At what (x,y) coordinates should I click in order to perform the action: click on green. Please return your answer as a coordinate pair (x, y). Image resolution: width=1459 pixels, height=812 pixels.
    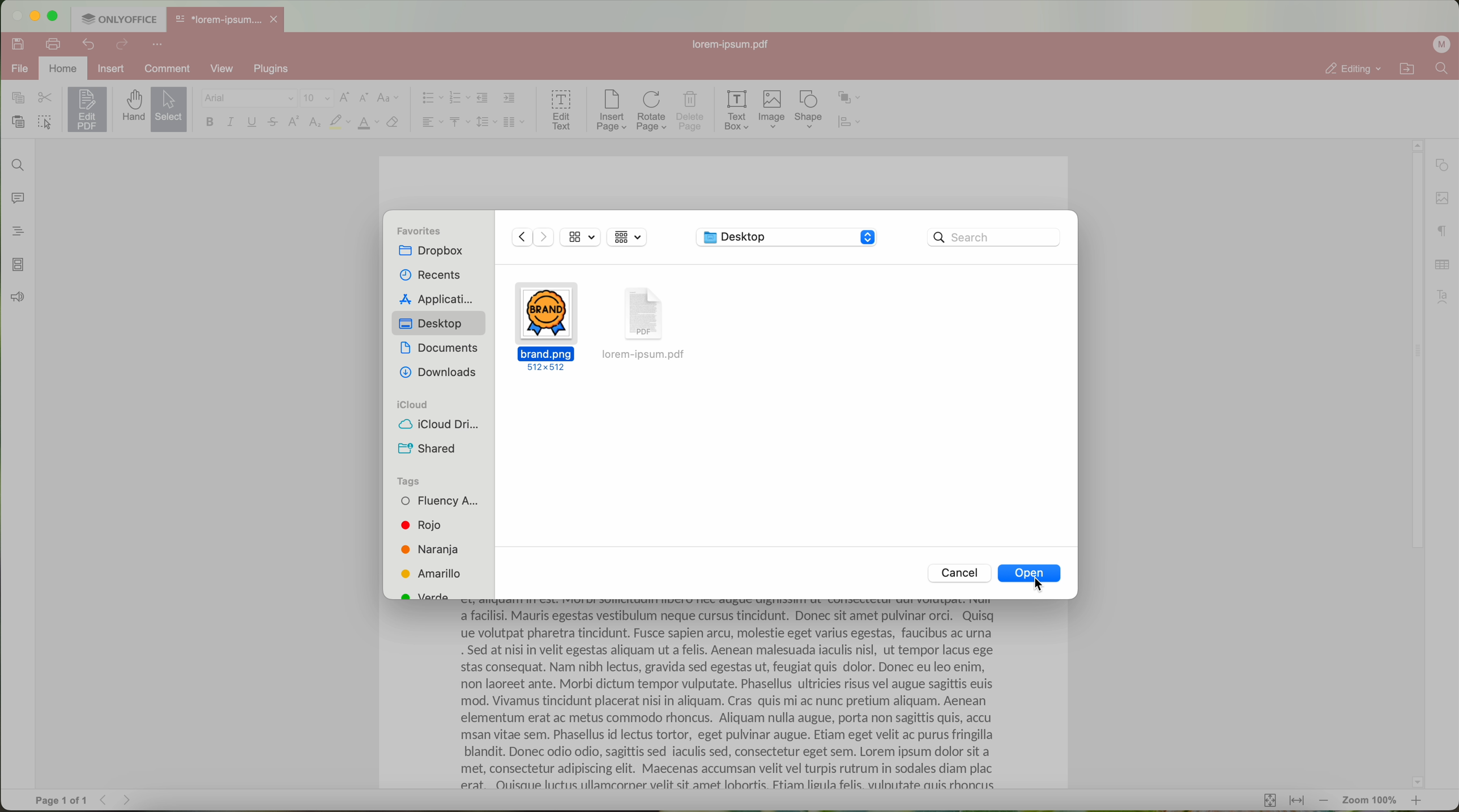
    Looking at the image, I should click on (426, 593).